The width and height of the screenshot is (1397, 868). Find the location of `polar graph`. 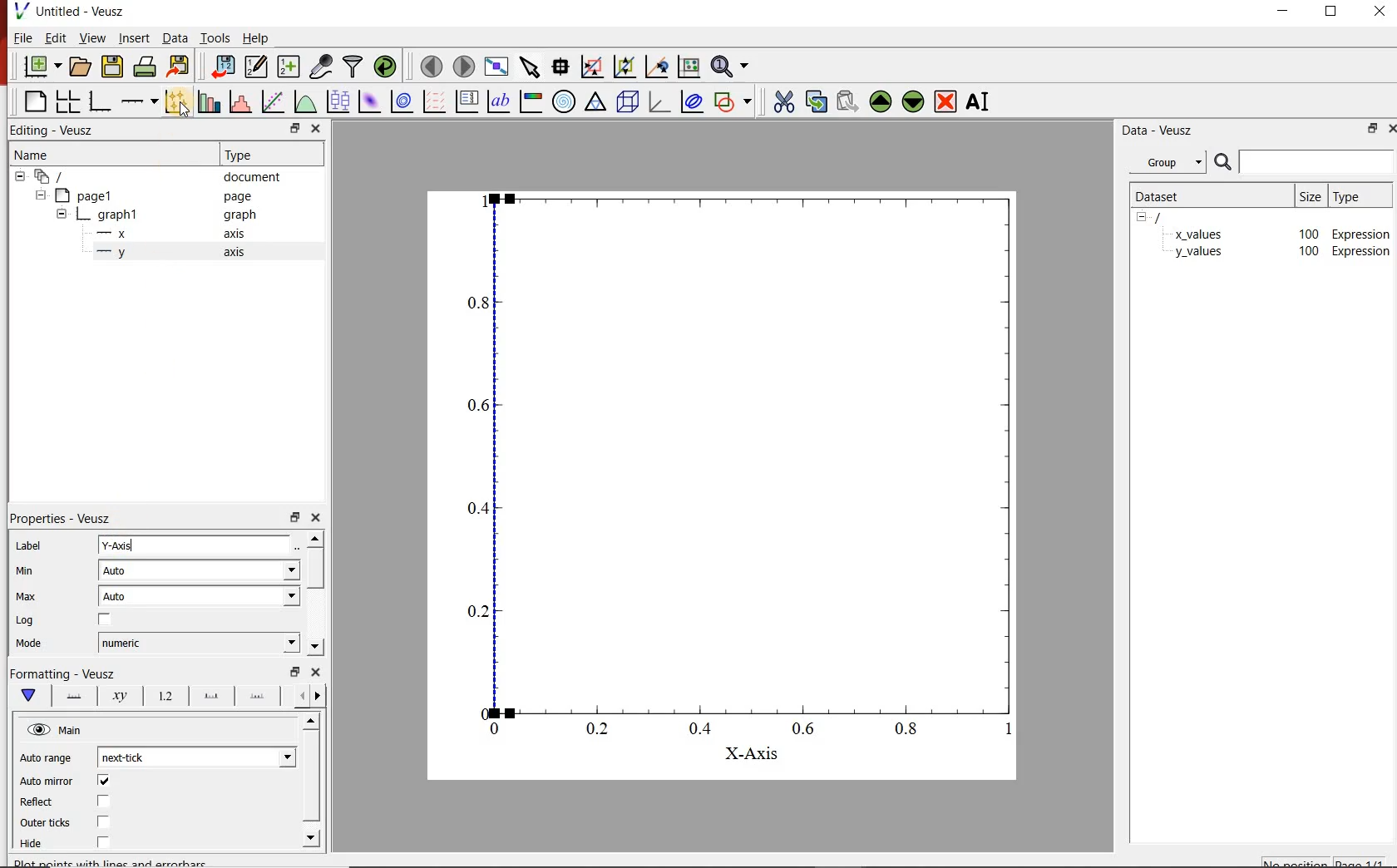

polar graph is located at coordinates (565, 103).